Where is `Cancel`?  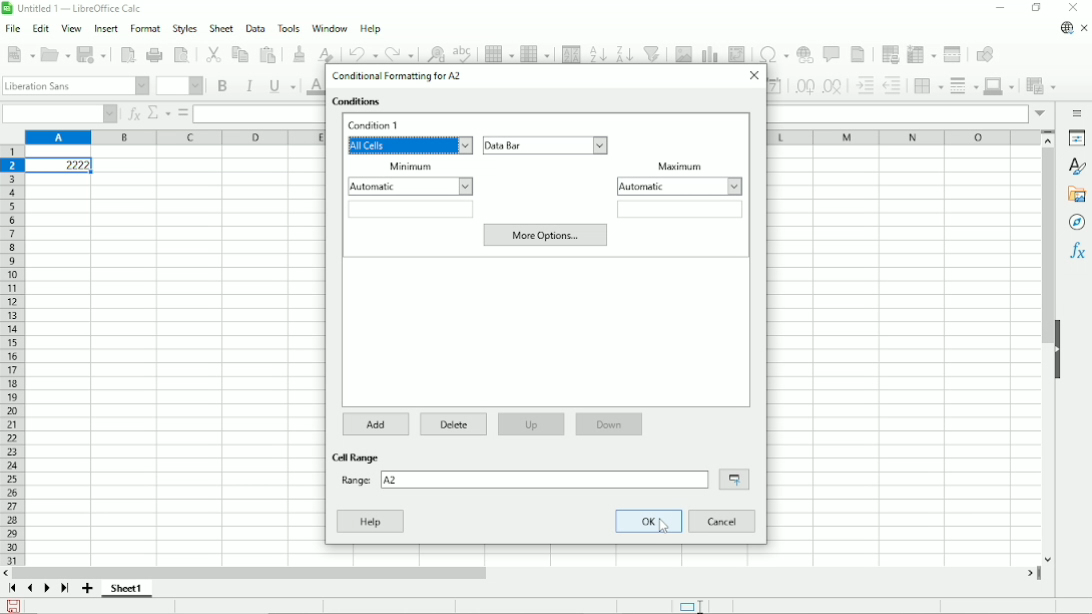
Cancel is located at coordinates (721, 522).